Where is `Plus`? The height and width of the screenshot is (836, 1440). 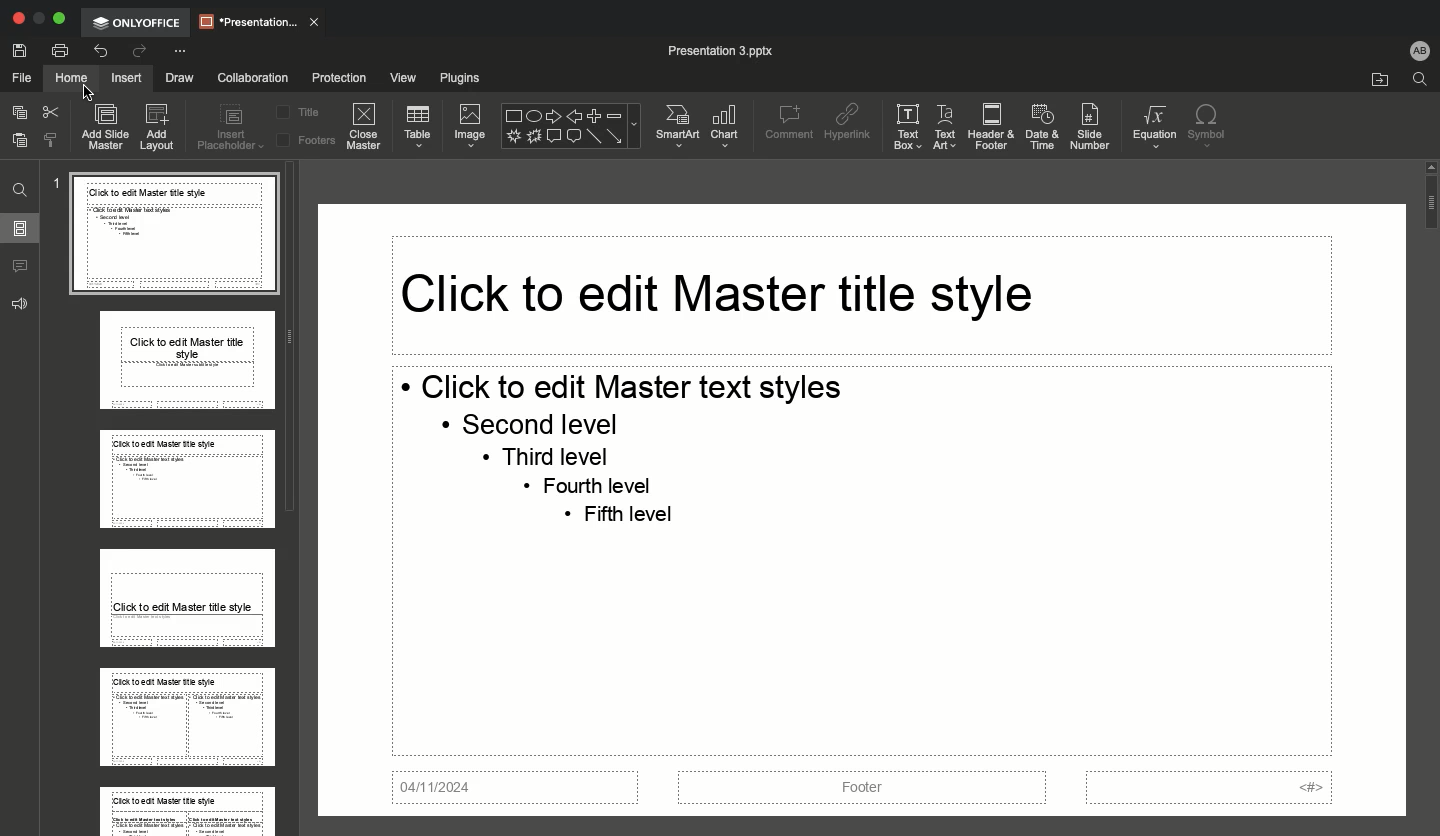 Plus is located at coordinates (596, 116).